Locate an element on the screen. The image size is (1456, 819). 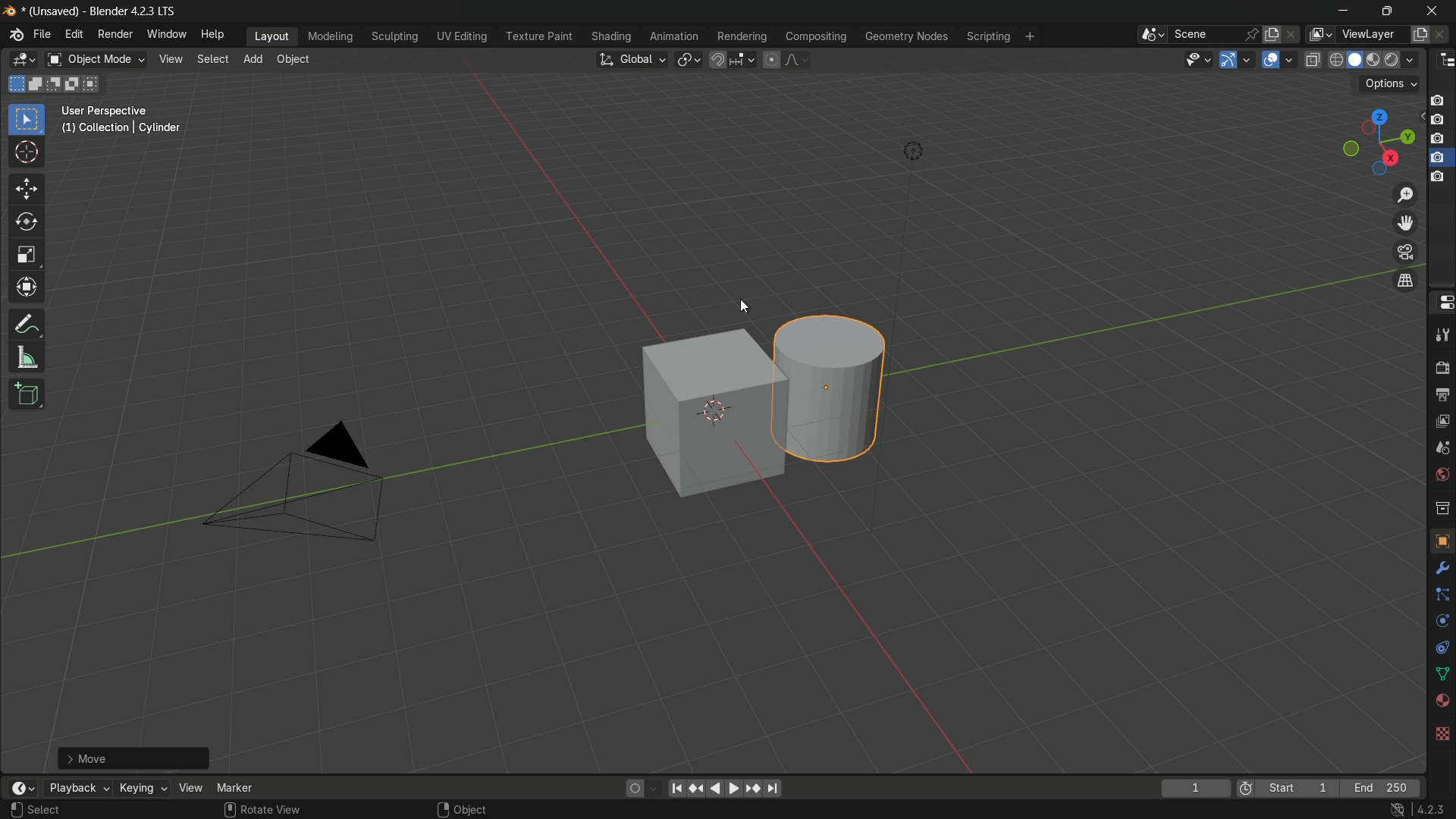
render menu is located at coordinates (114, 36).